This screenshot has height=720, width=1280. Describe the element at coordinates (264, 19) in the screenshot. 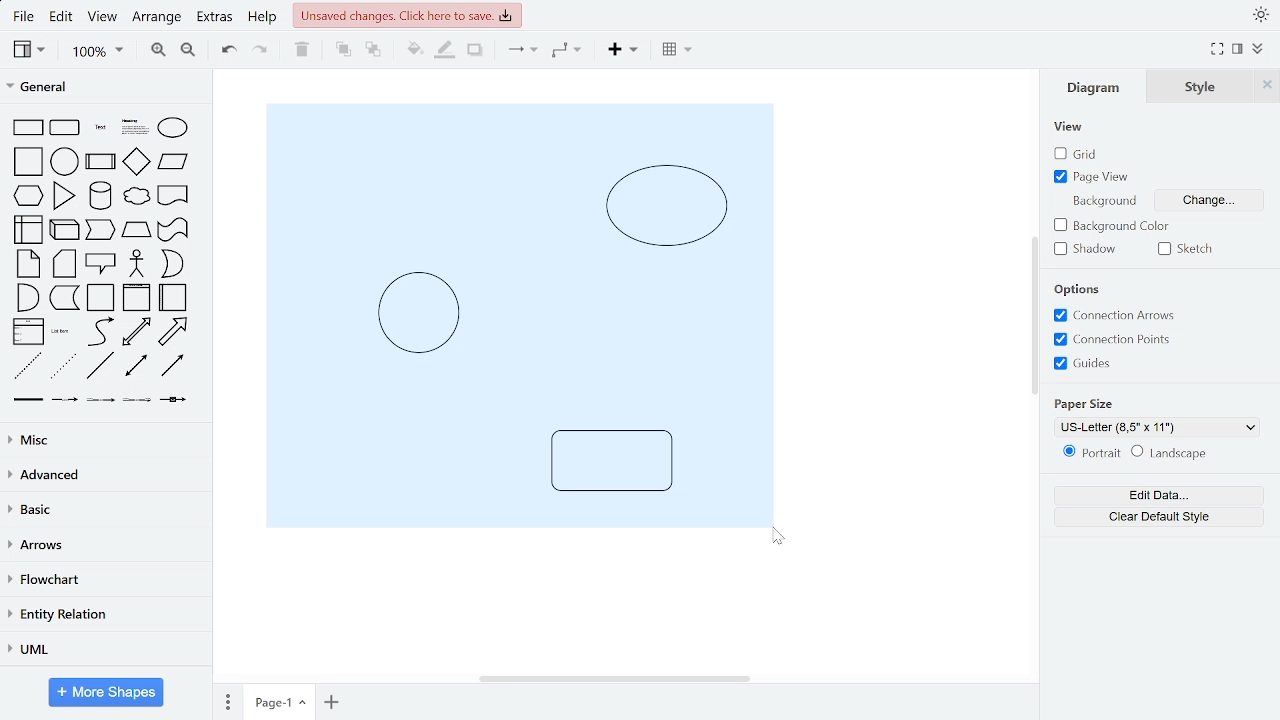

I see `help` at that location.